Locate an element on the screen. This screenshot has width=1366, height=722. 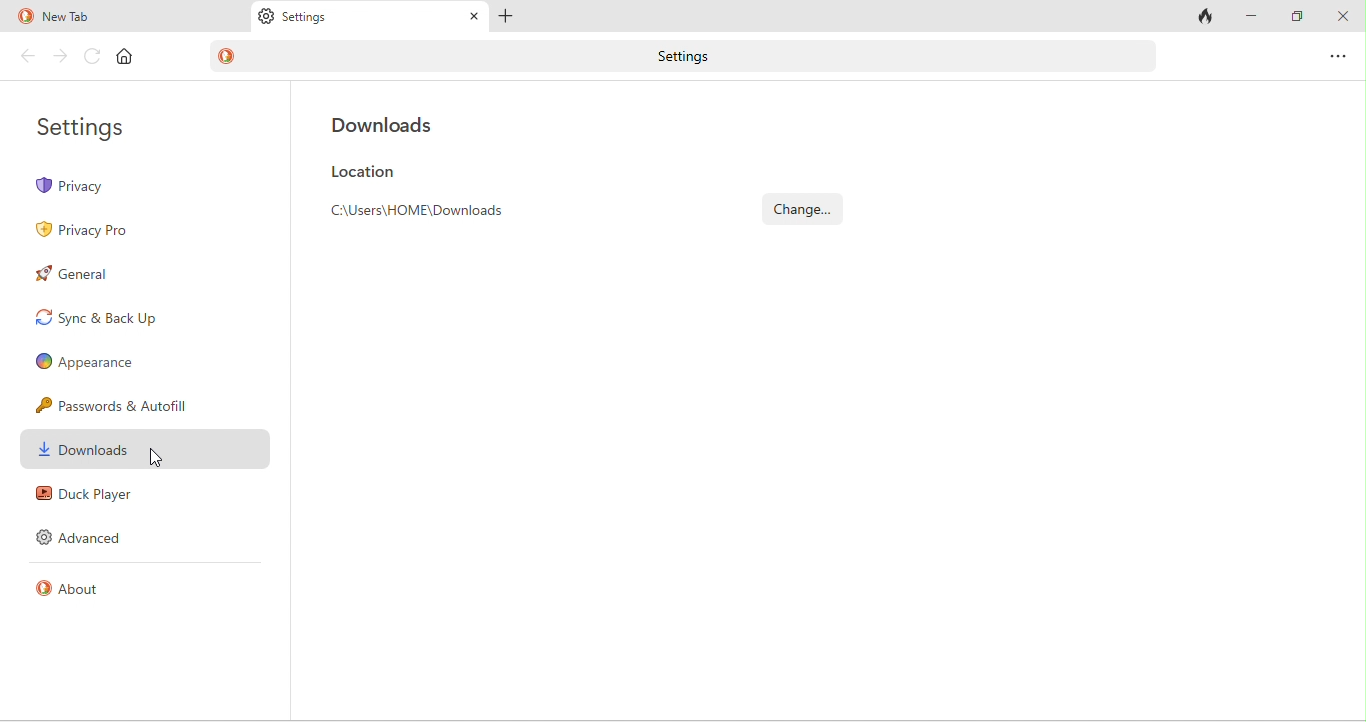
general is located at coordinates (85, 276).